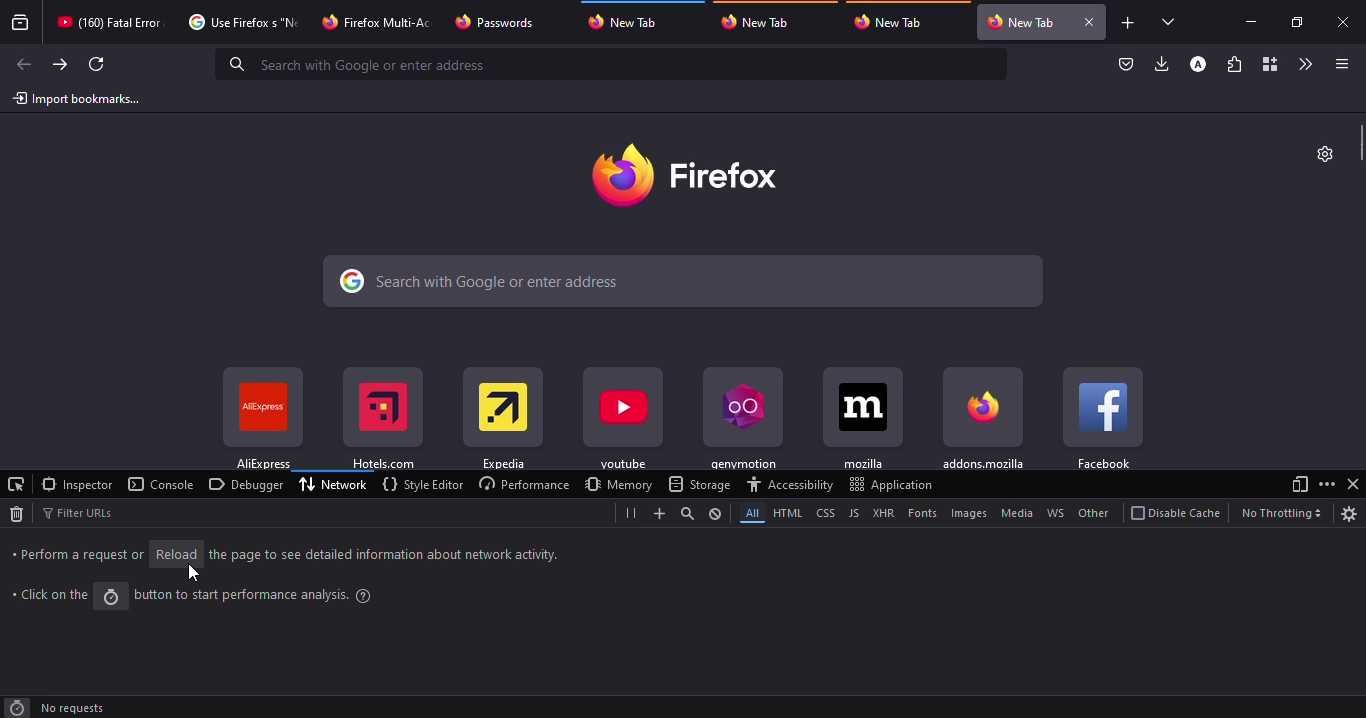 The width and height of the screenshot is (1366, 718). I want to click on minimize, so click(1255, 23).